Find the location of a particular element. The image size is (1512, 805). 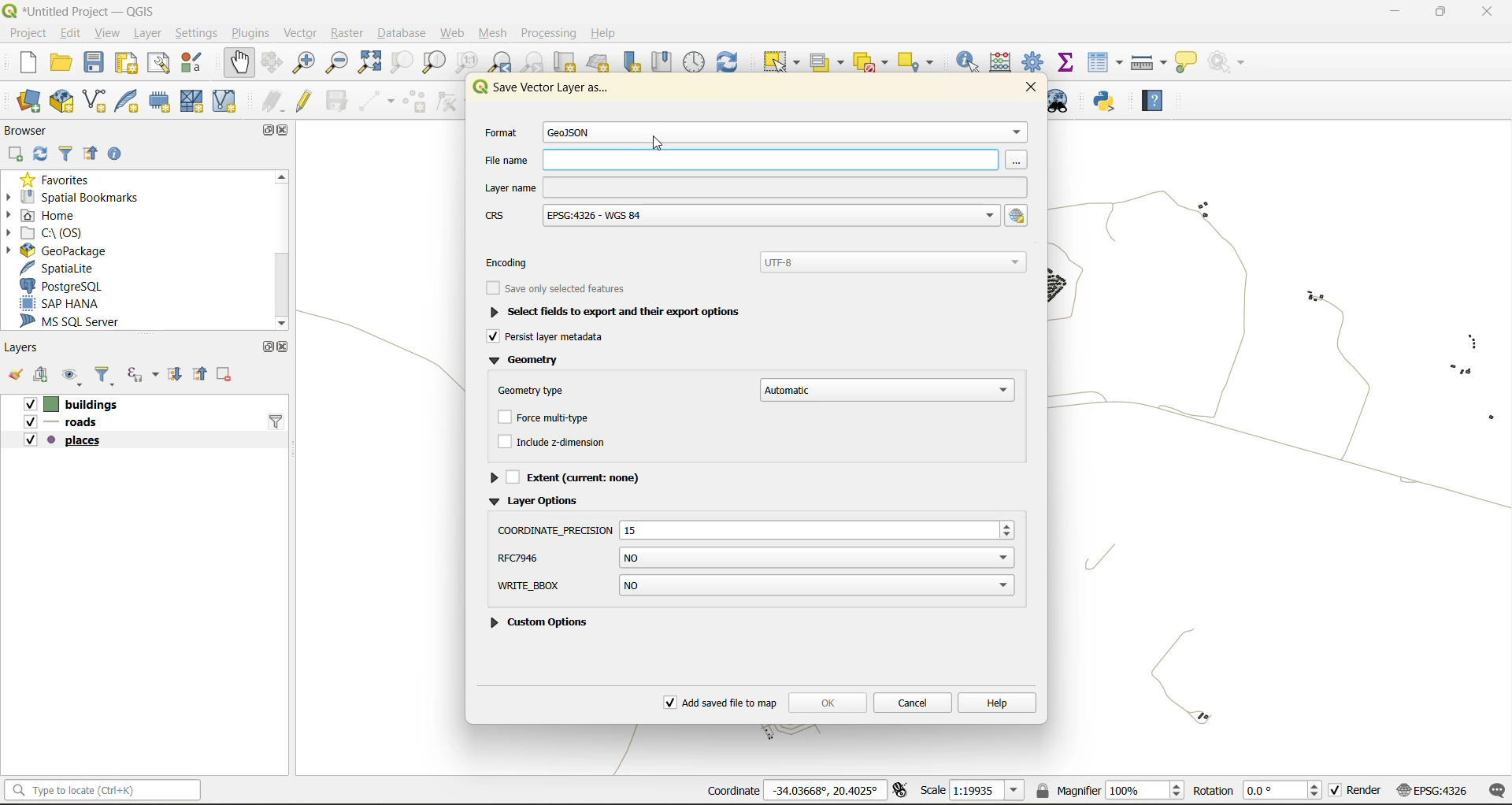

raster is located at coordinates (349, 35).